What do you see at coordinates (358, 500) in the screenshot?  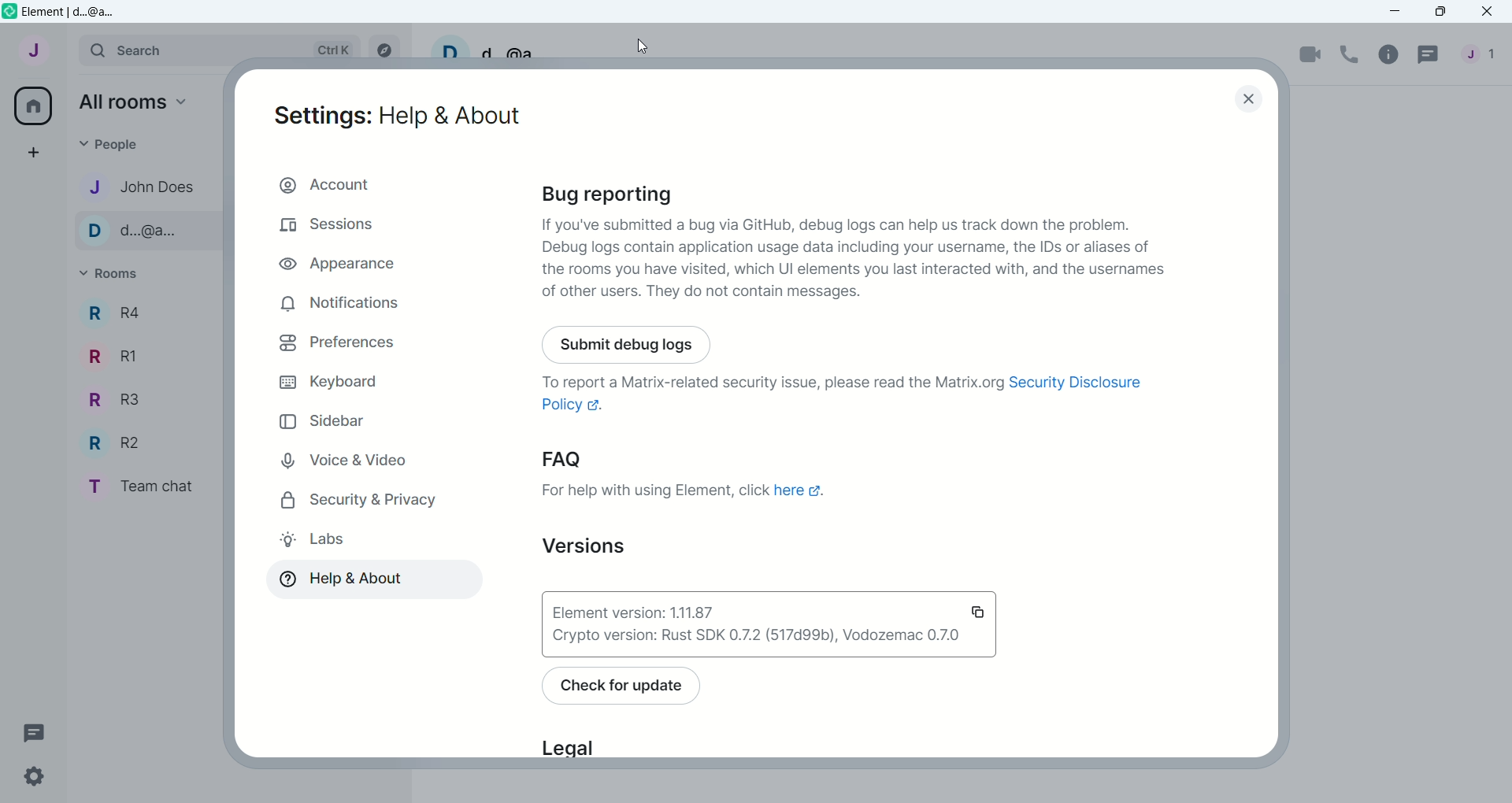 I see `Security and privacy` at bounding box center [358, 500].